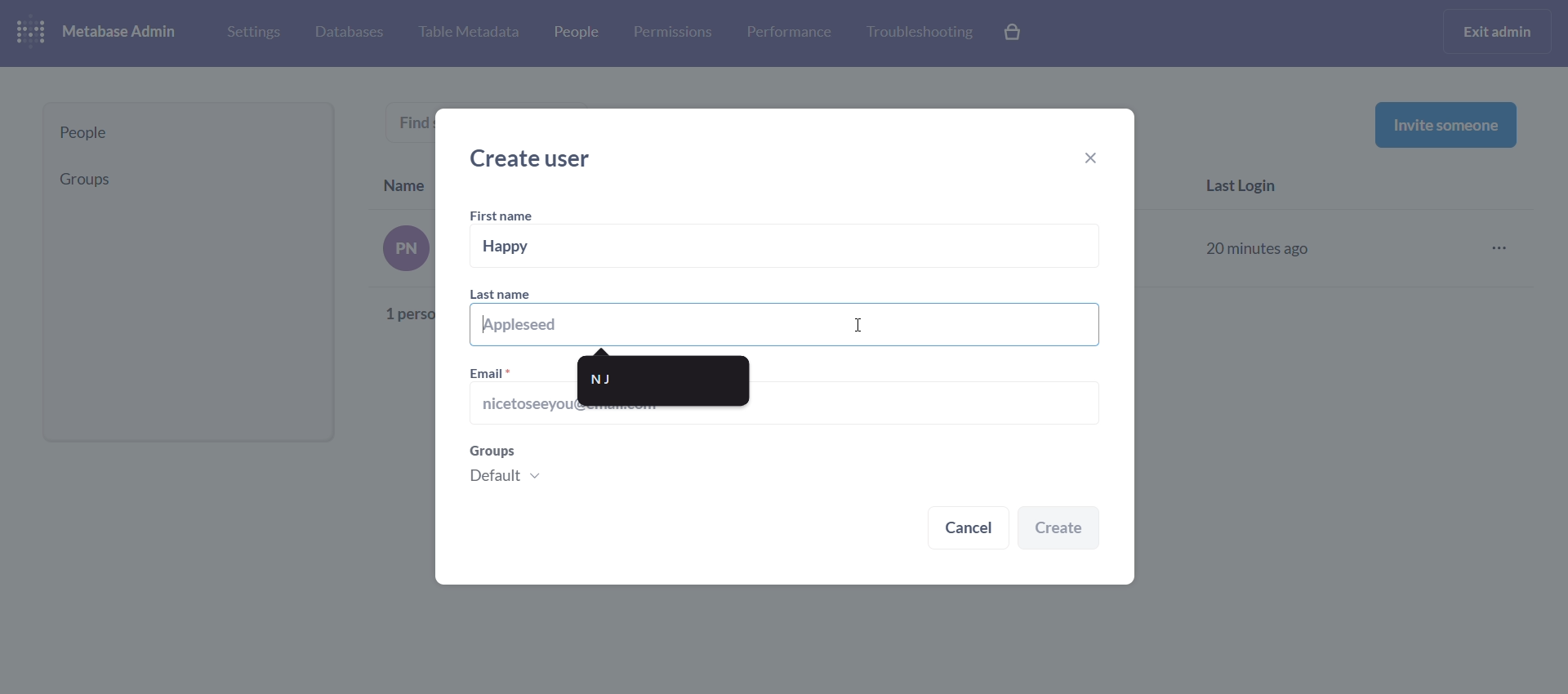 This screenshot has height=694, width=1568. What do you see at coordinates (673, 33) in the screenshot?
I see `permissions` at bounding box center [673, 33].